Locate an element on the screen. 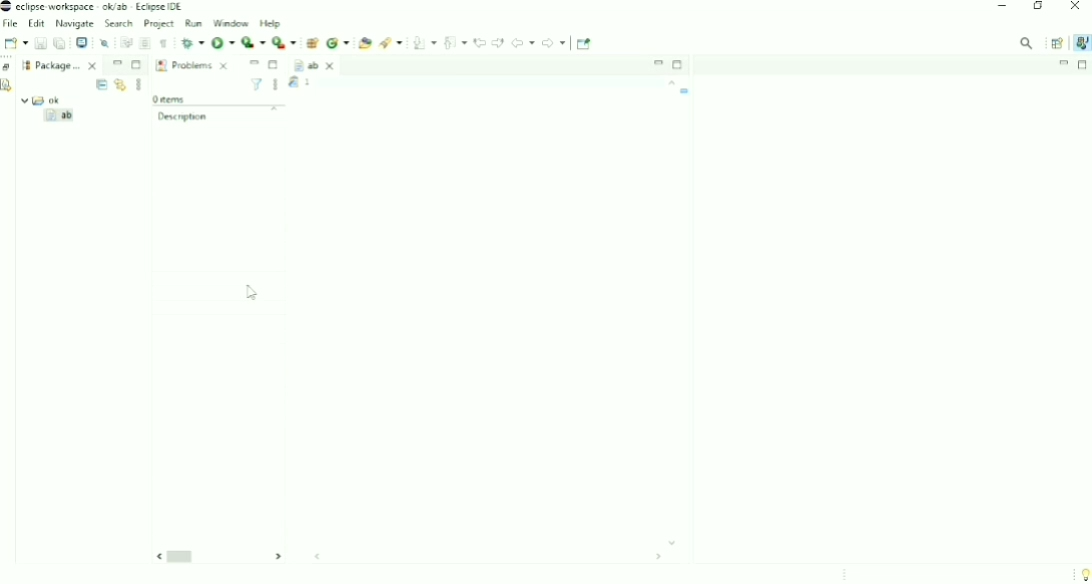 Image resolution: width=1092 pixels, height=584 pixels. Access commands and other items is located at coordinates (1027, 43).